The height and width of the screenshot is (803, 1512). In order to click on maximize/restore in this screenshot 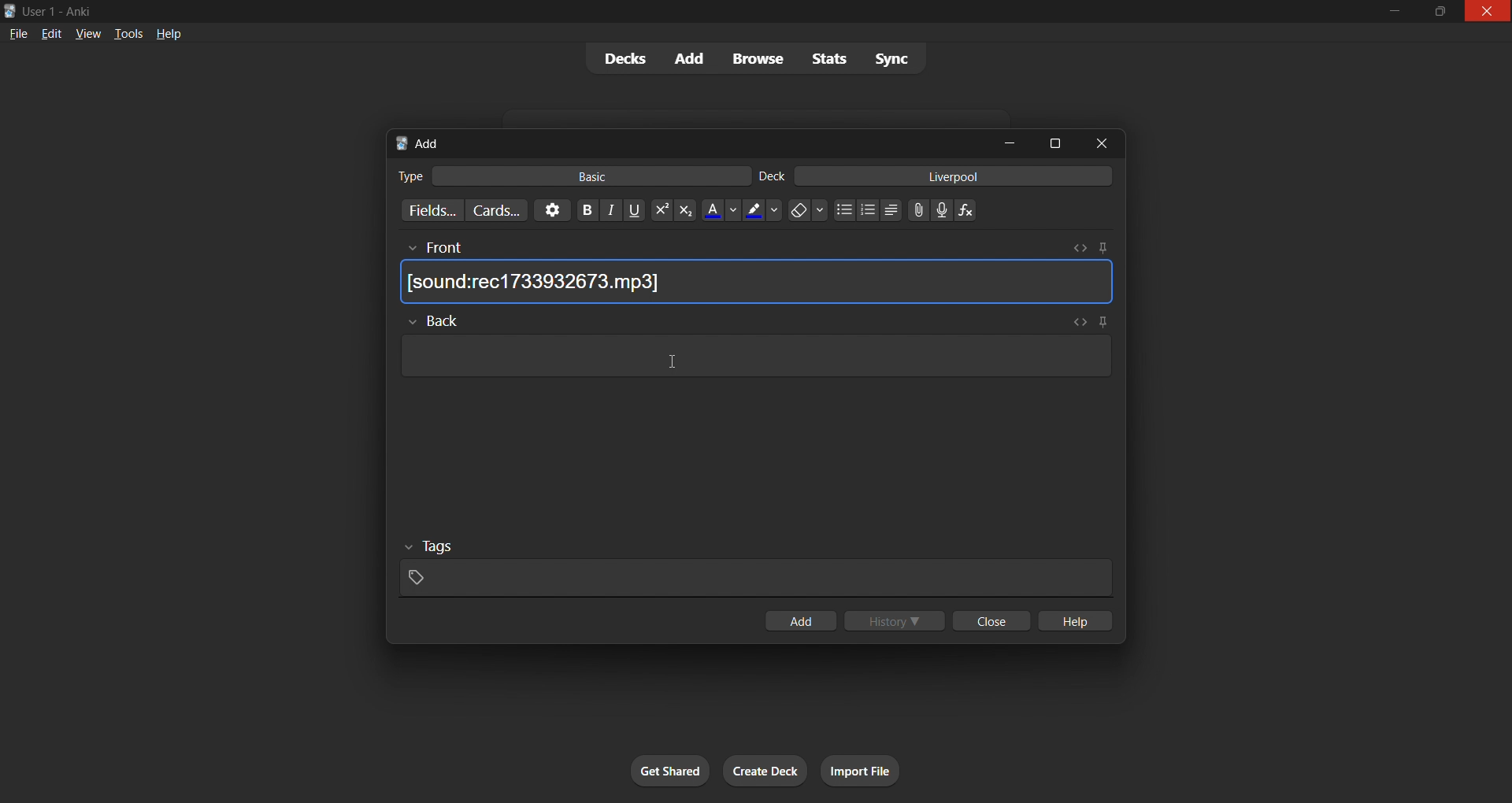, I will do `click(1436, 12)`.